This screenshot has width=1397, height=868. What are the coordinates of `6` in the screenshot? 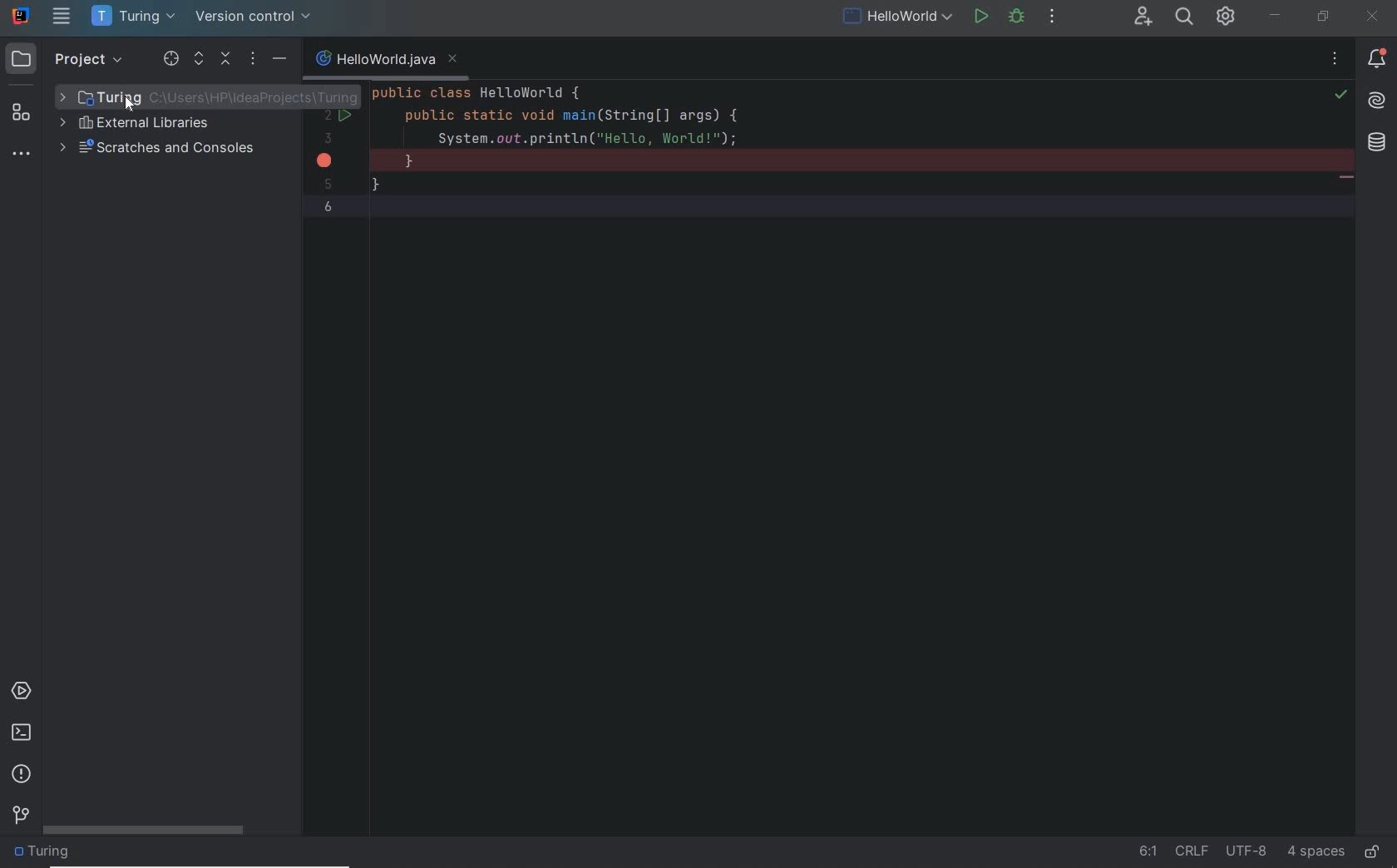 It's located at (328, 207).